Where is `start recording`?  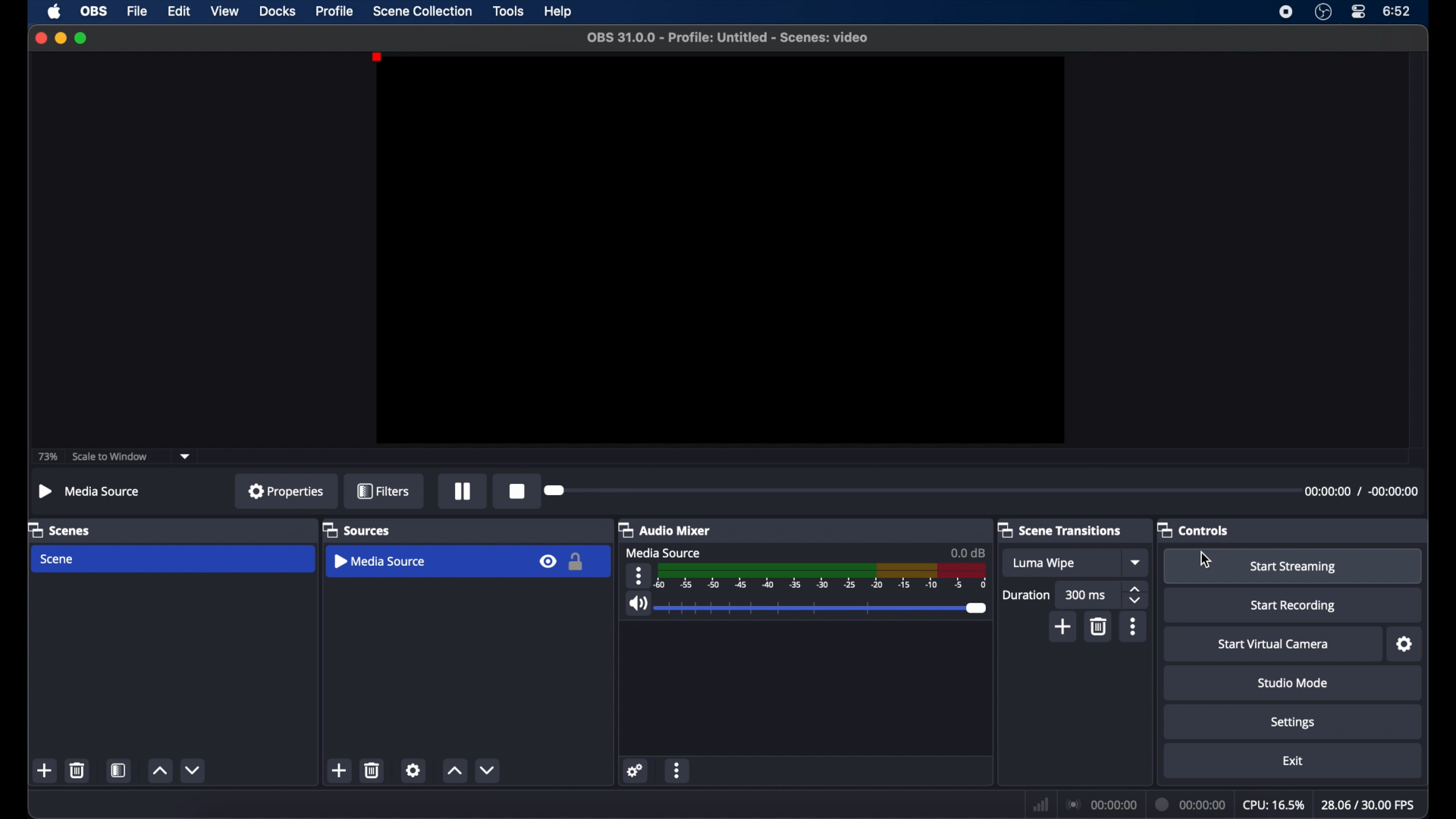 start recording is located at coordinates (1294, 606).